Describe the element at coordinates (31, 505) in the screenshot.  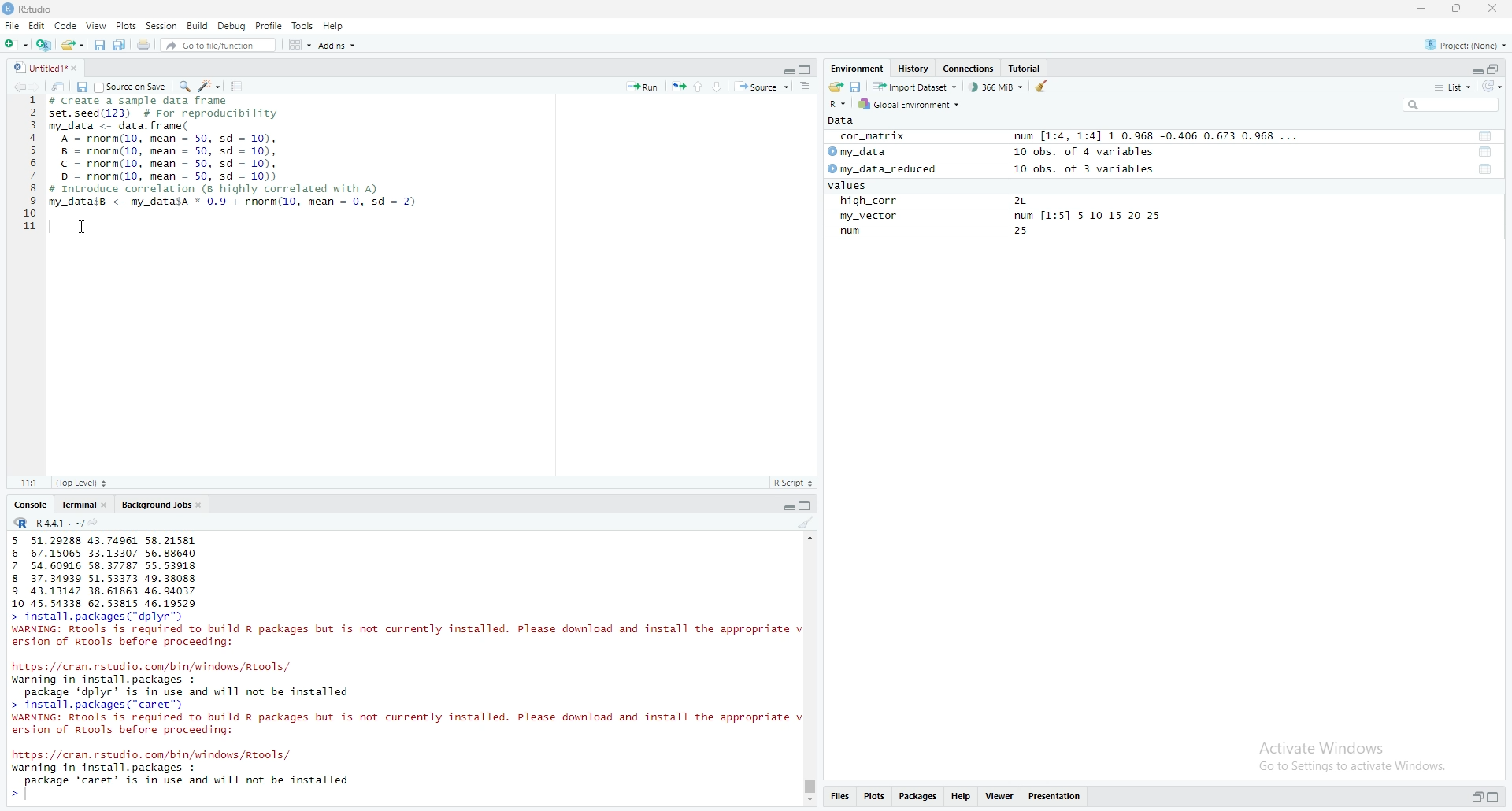
I see `Console` at that location.